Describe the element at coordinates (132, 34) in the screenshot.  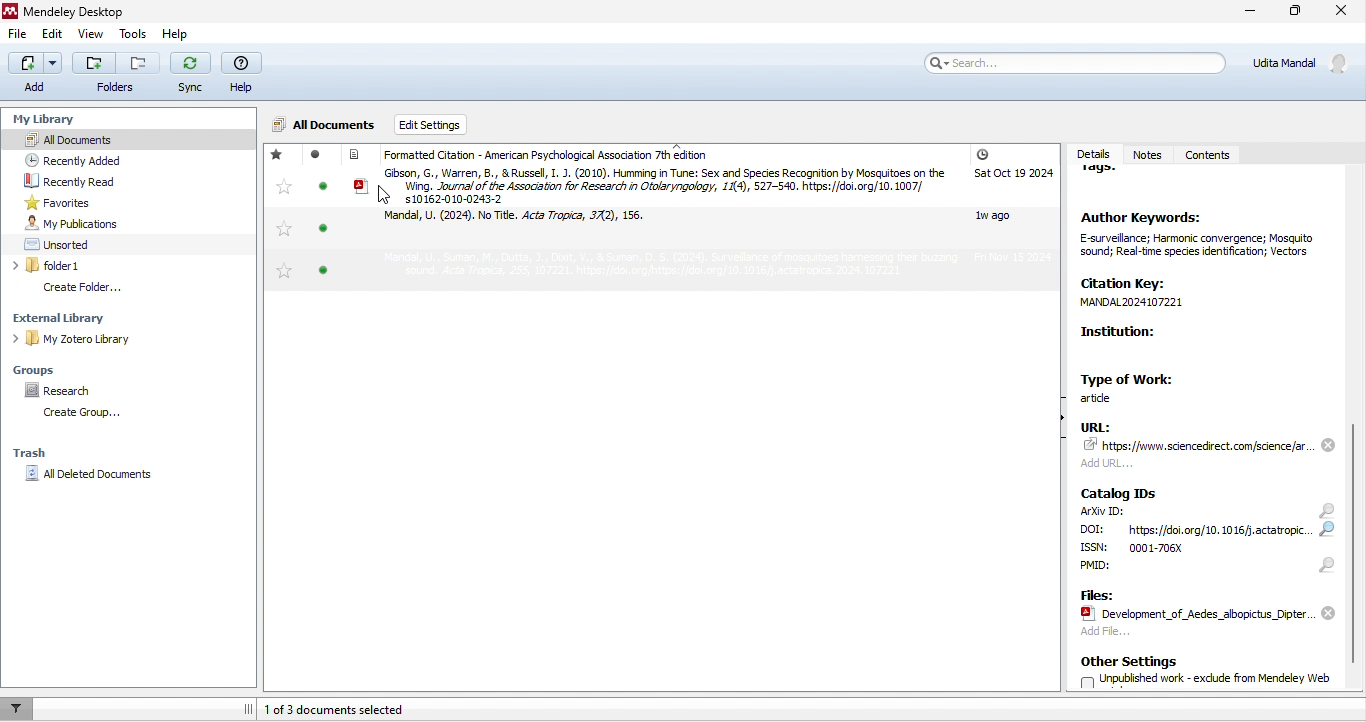
I see `tools` at that location.